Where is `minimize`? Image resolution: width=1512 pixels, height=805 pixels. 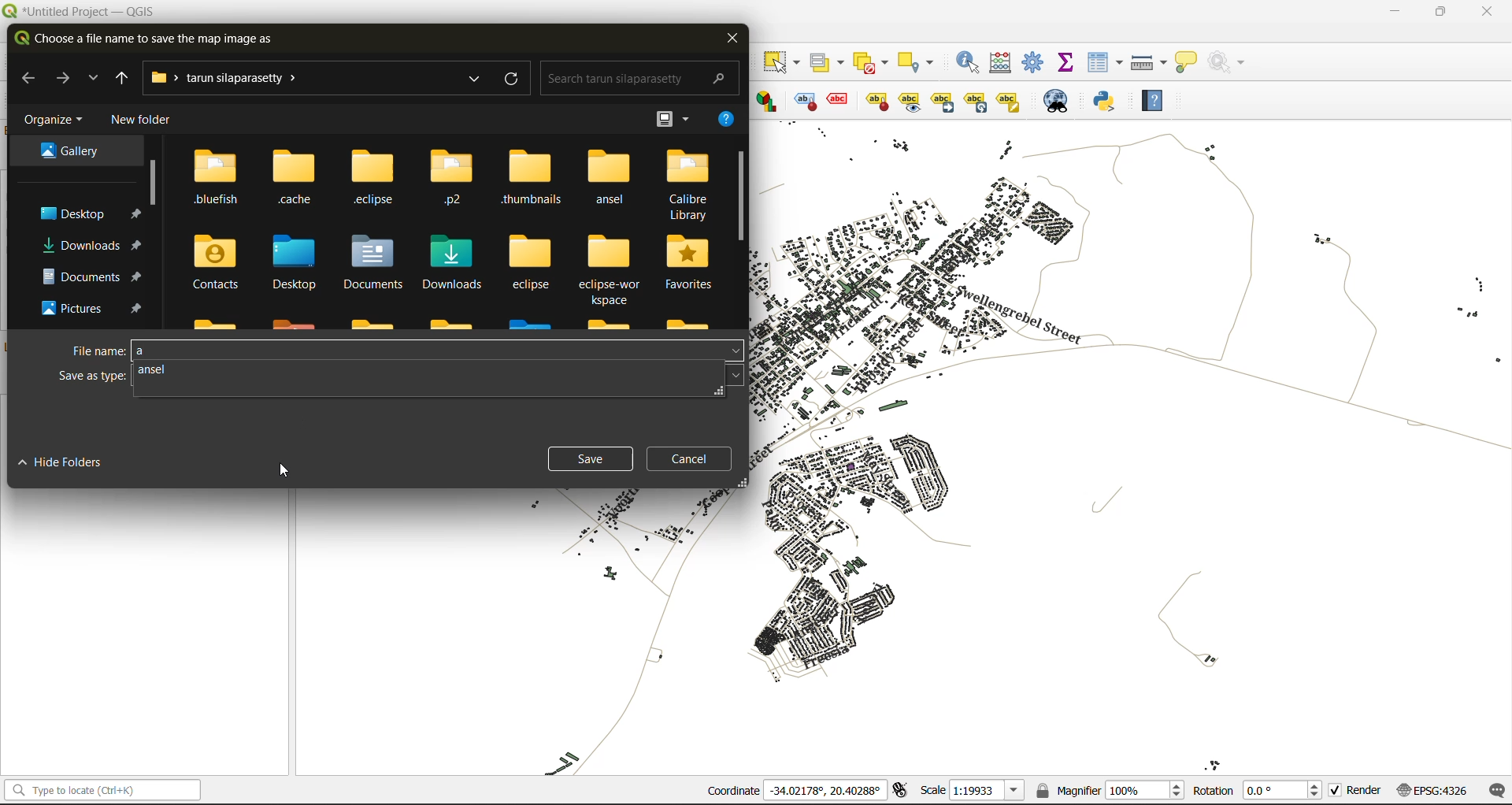
minimize is located at coordinates (1394, 12).